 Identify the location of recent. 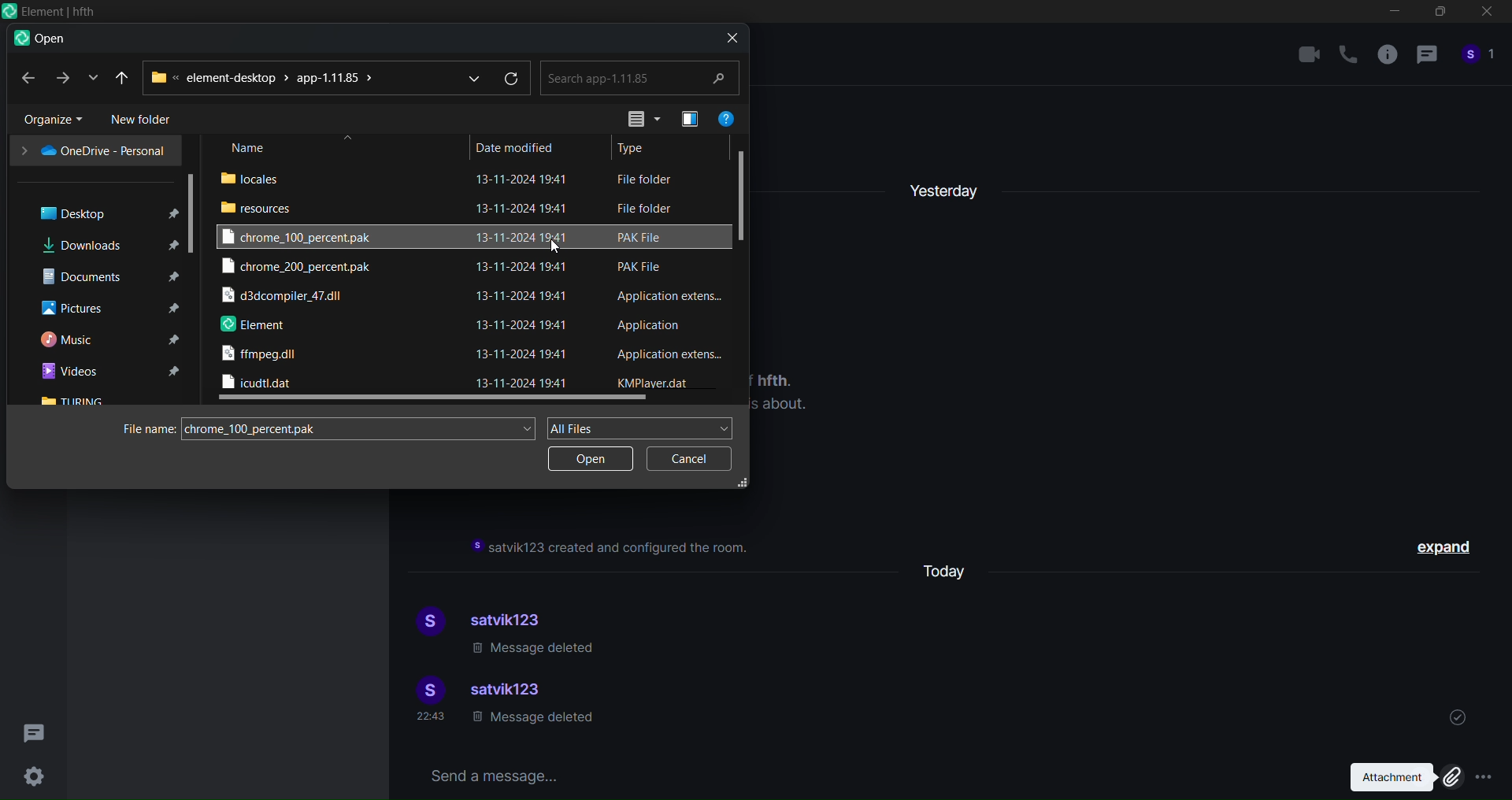
(124, 76).